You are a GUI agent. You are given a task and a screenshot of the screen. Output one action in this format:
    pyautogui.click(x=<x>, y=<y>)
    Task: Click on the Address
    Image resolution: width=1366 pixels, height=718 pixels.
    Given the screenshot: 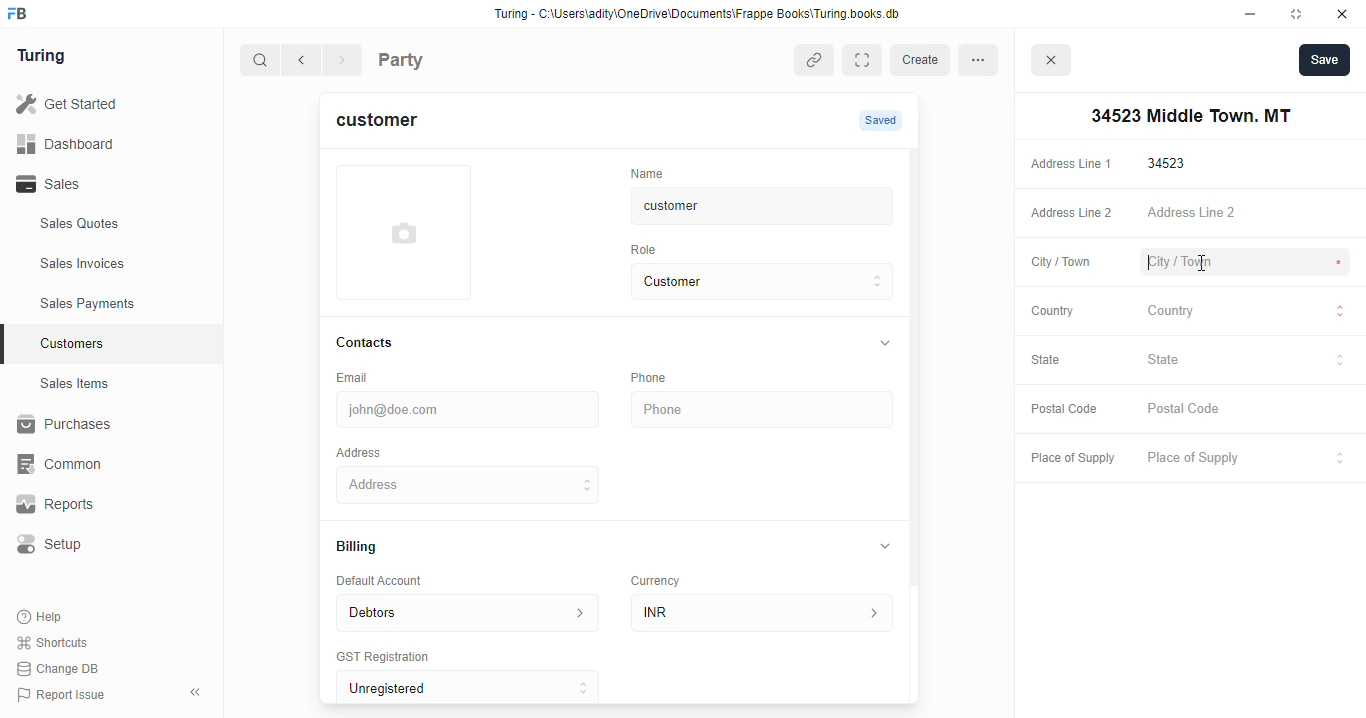 What is the action you would take?
    pyautogui.click(x=372, y=451)
    